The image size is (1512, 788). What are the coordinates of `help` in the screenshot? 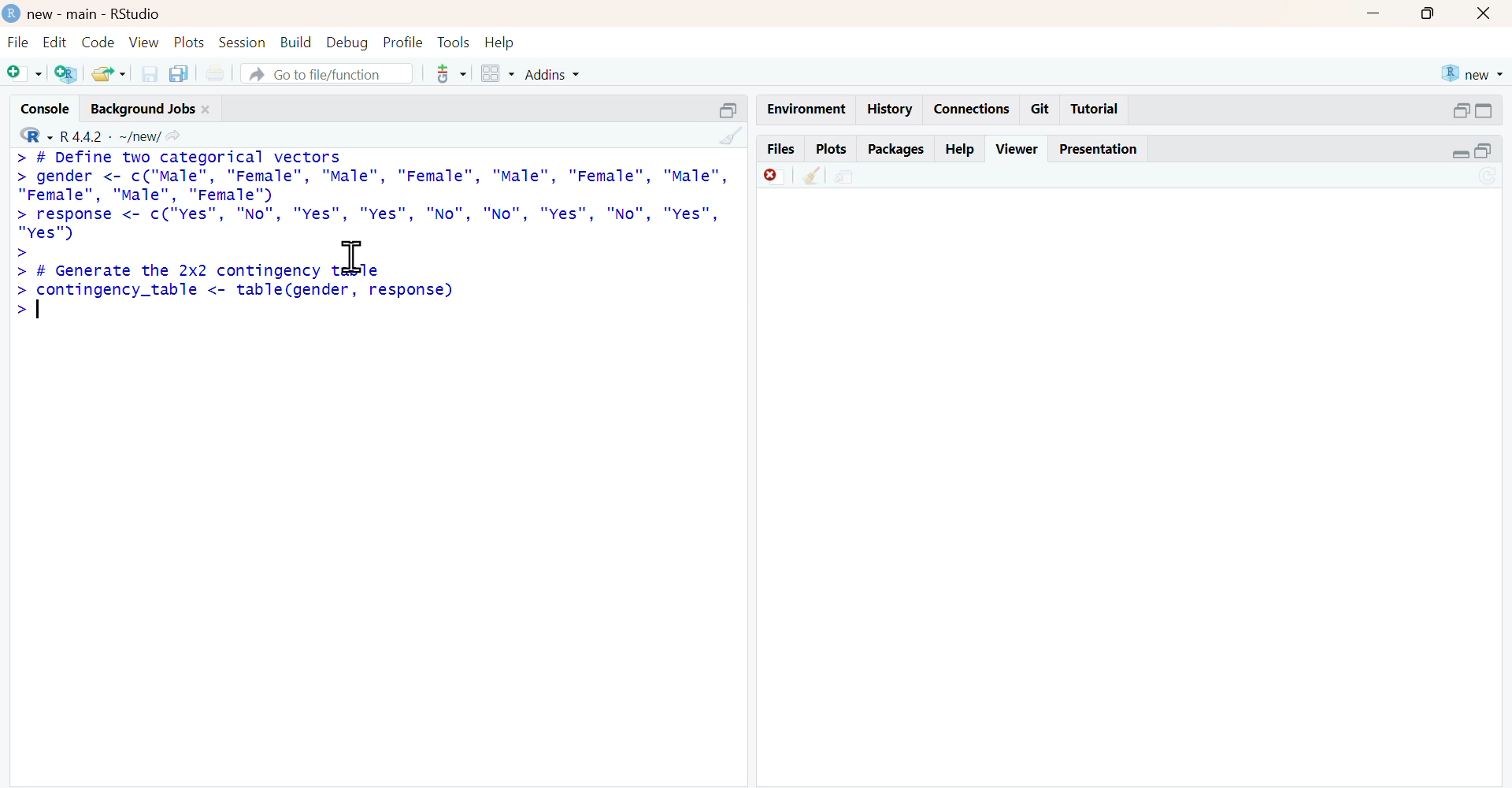 It's located at (500, 44).